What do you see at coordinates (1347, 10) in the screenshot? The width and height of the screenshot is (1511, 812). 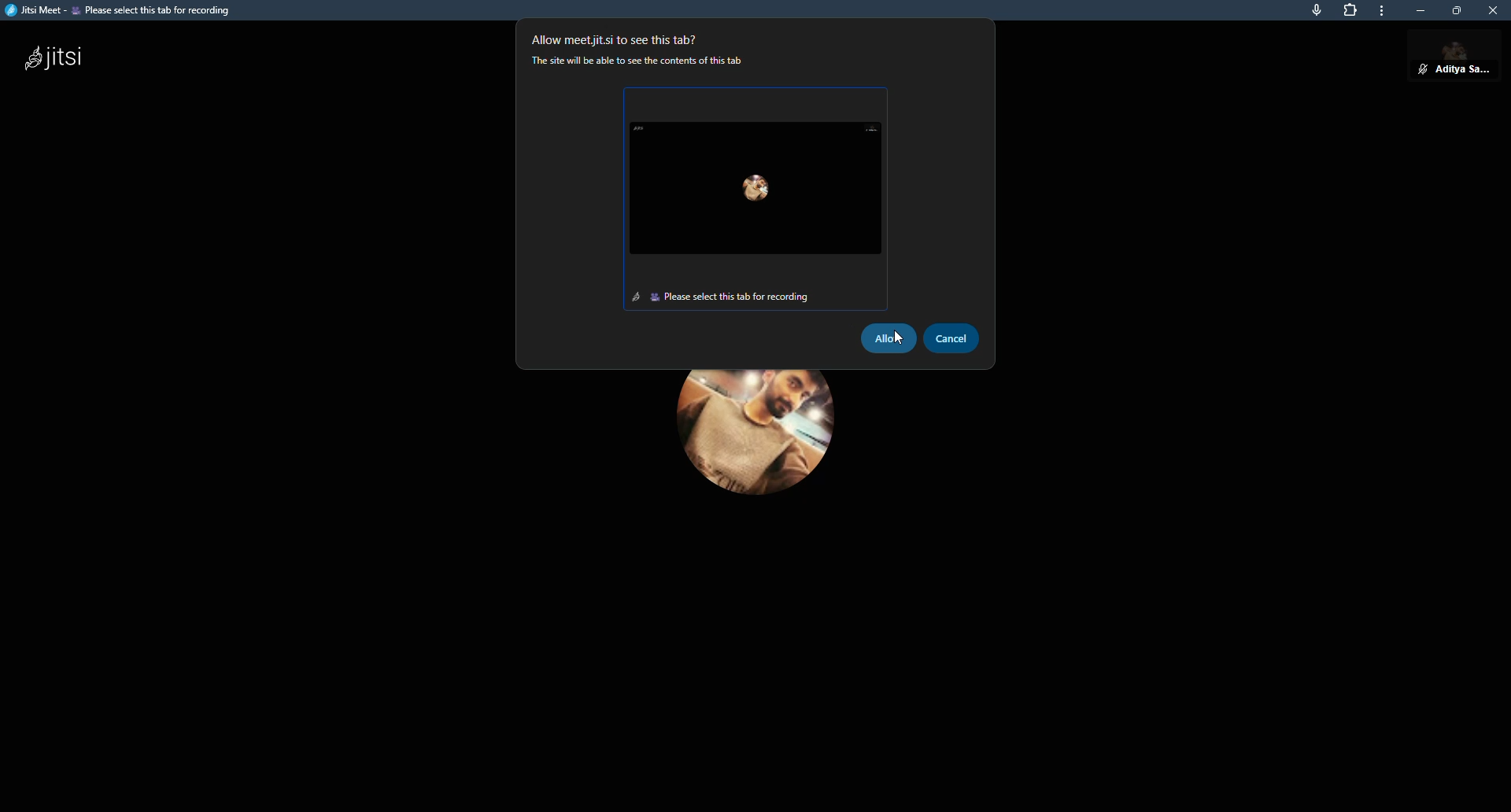 I see `extensions` at bounding box center [1347, 10].